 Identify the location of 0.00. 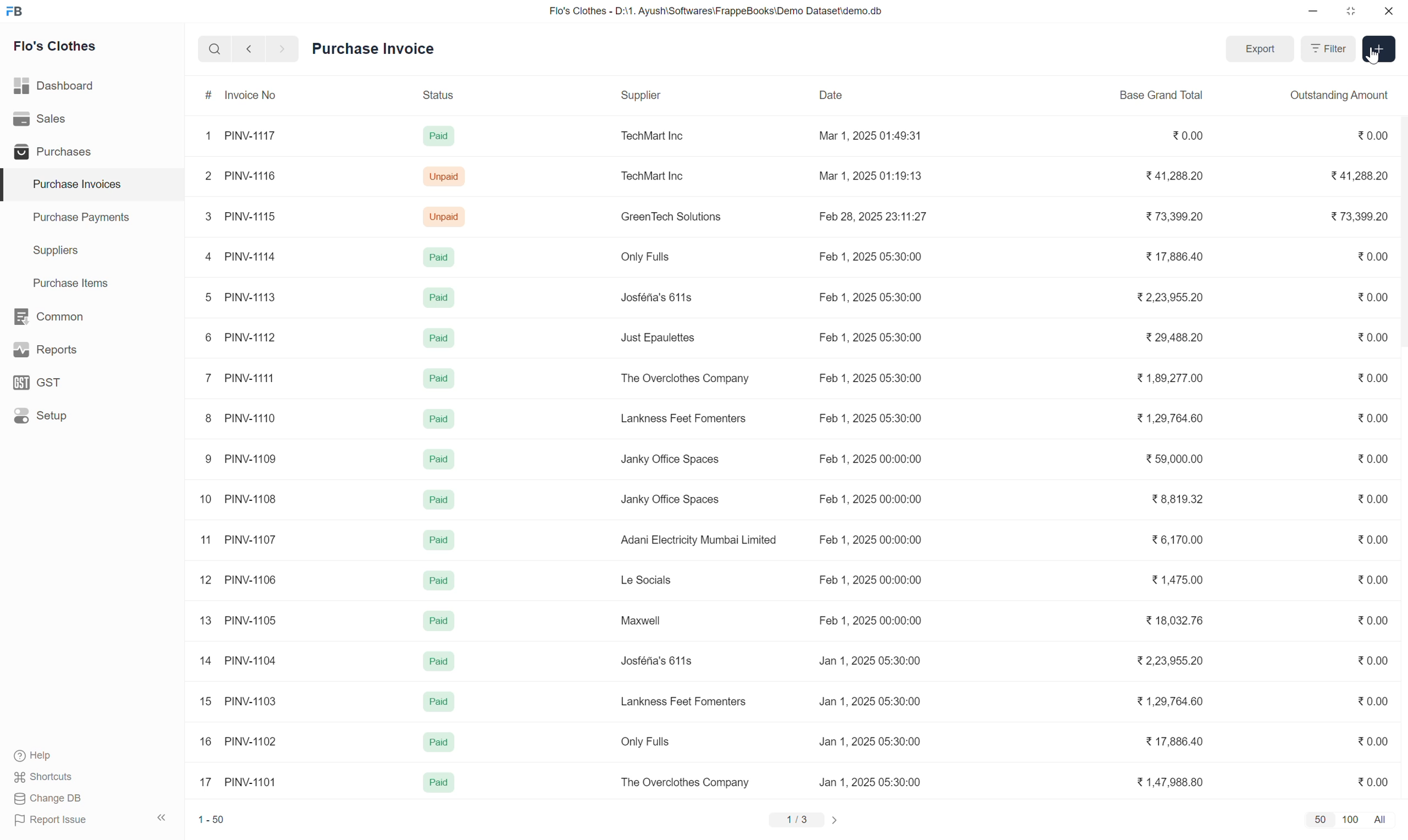
(1372, 620).